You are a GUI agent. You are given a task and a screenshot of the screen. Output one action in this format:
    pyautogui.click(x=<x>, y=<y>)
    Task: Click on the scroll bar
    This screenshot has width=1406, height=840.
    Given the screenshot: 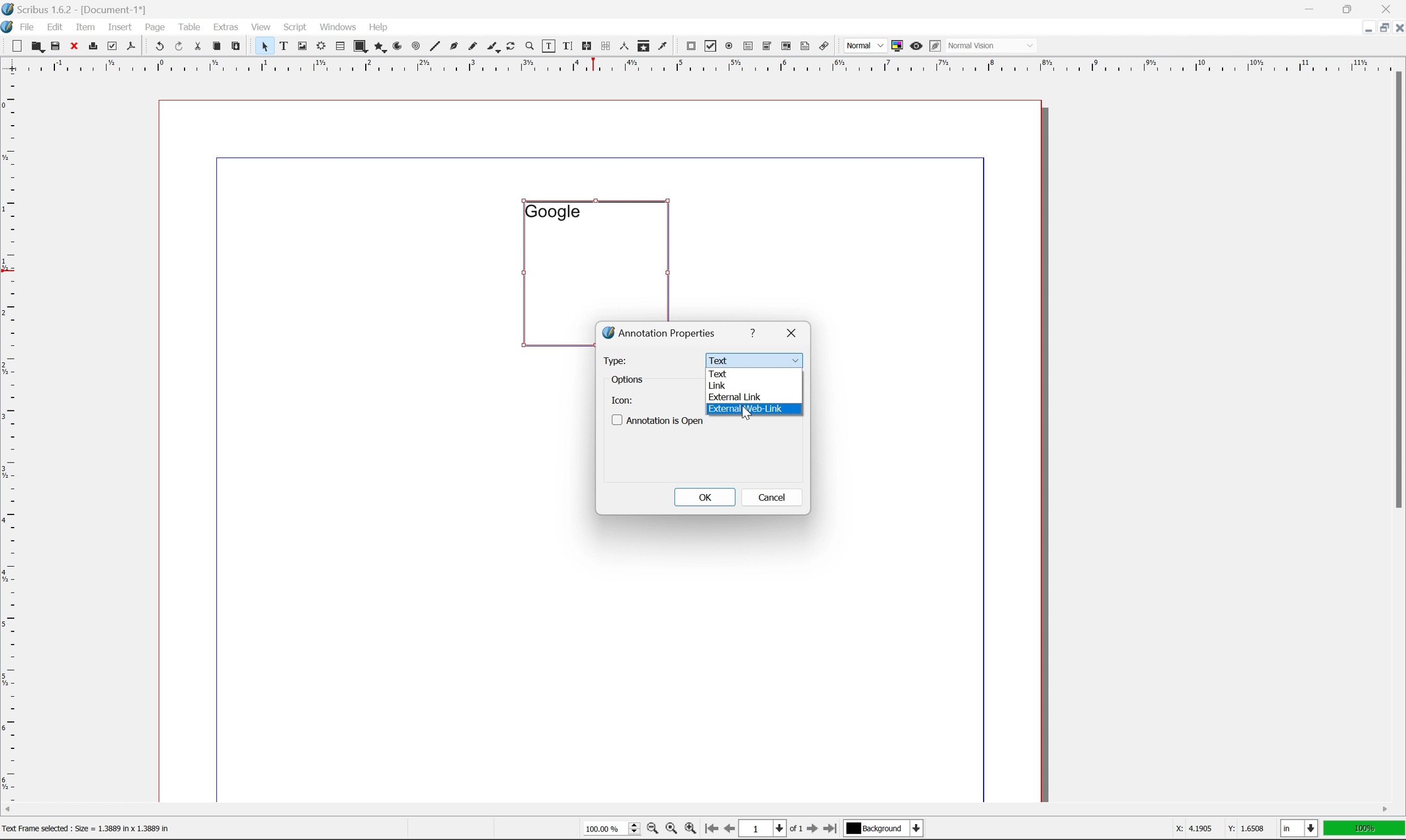 What is the action you would take?
    pyautogui.click(x=1396, y=289)
    